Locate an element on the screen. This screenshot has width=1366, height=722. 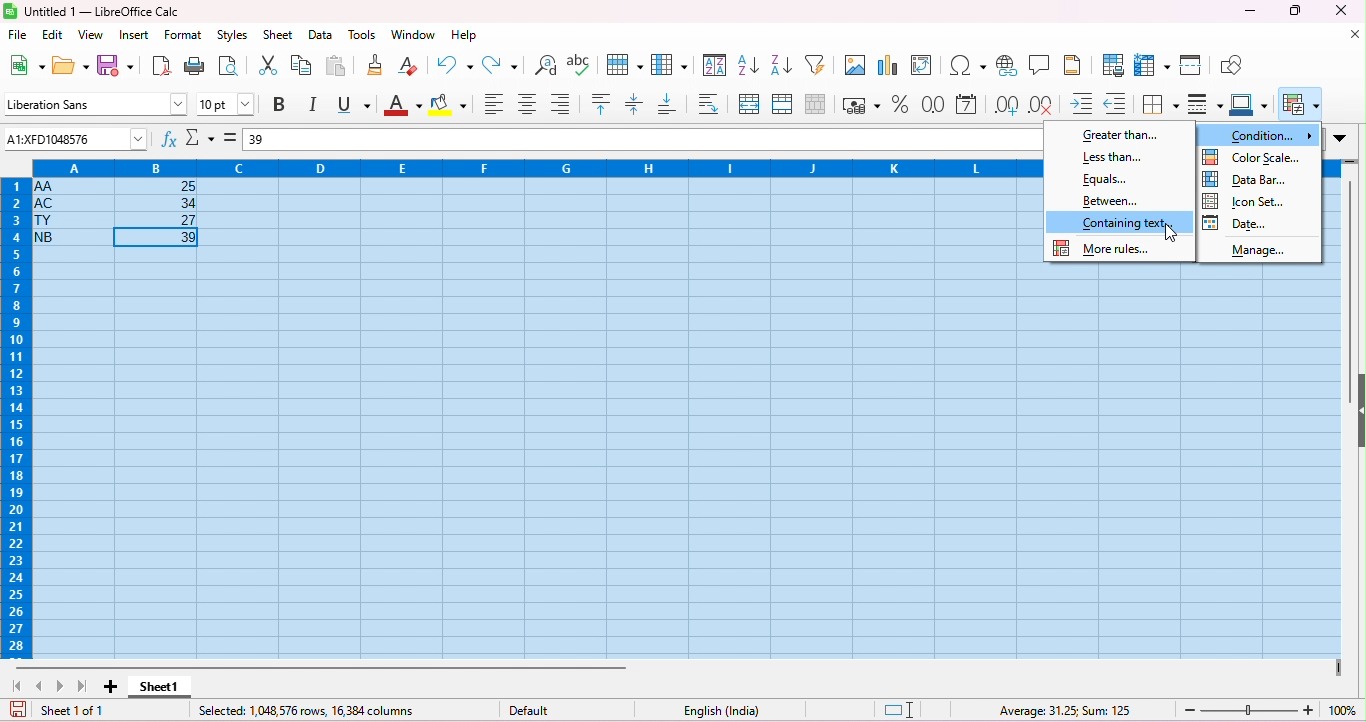
wrap is located at coordinates (704, 103).